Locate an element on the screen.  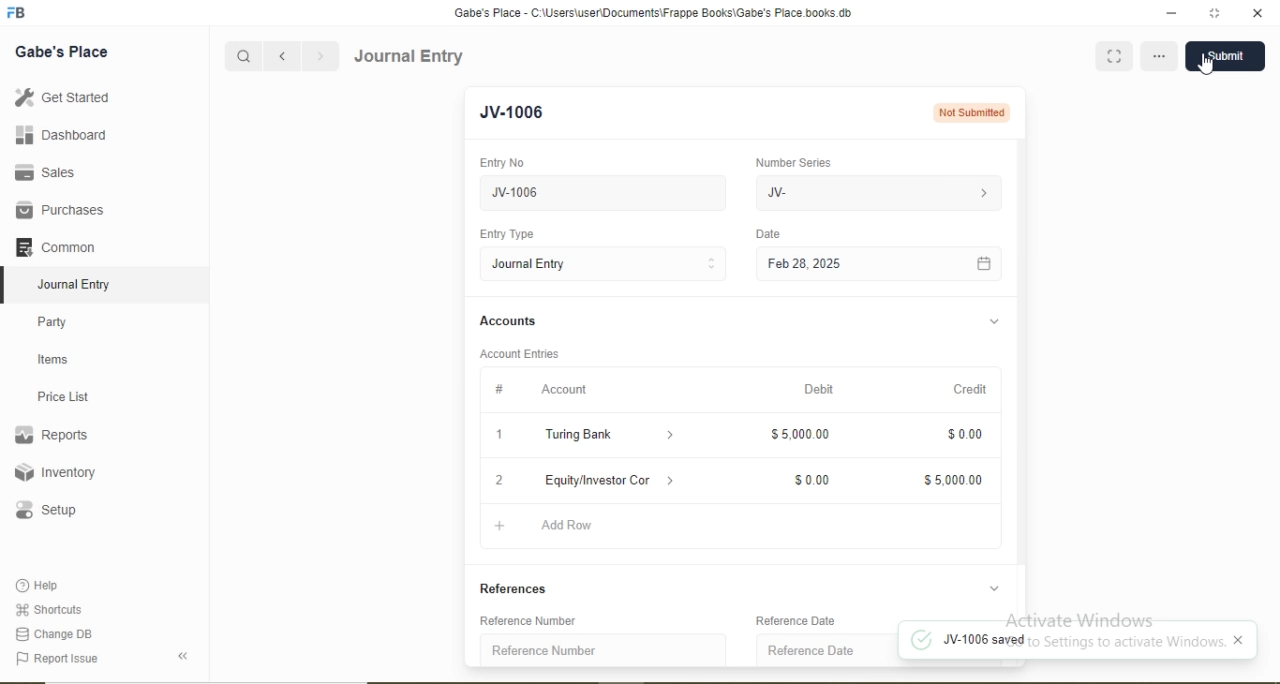
$5,000.00 is located at coordinates (954, 481).